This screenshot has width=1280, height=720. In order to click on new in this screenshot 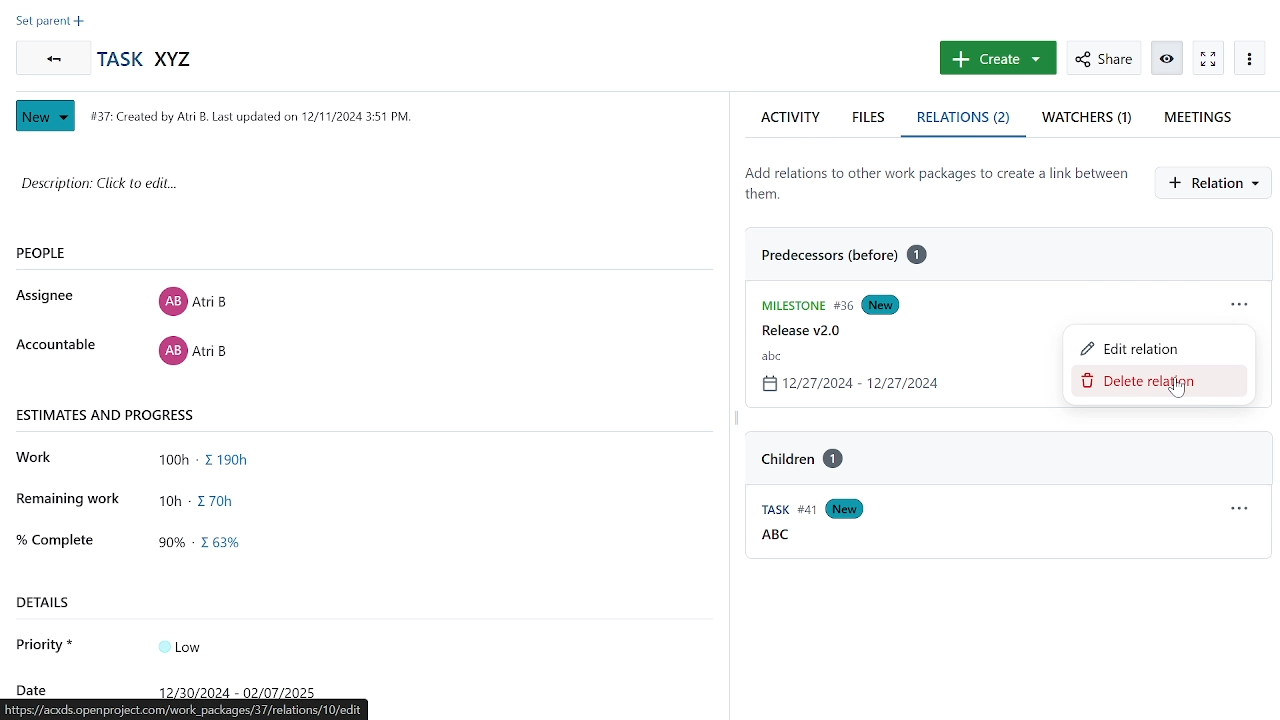, I will do `click(848, 509)`.